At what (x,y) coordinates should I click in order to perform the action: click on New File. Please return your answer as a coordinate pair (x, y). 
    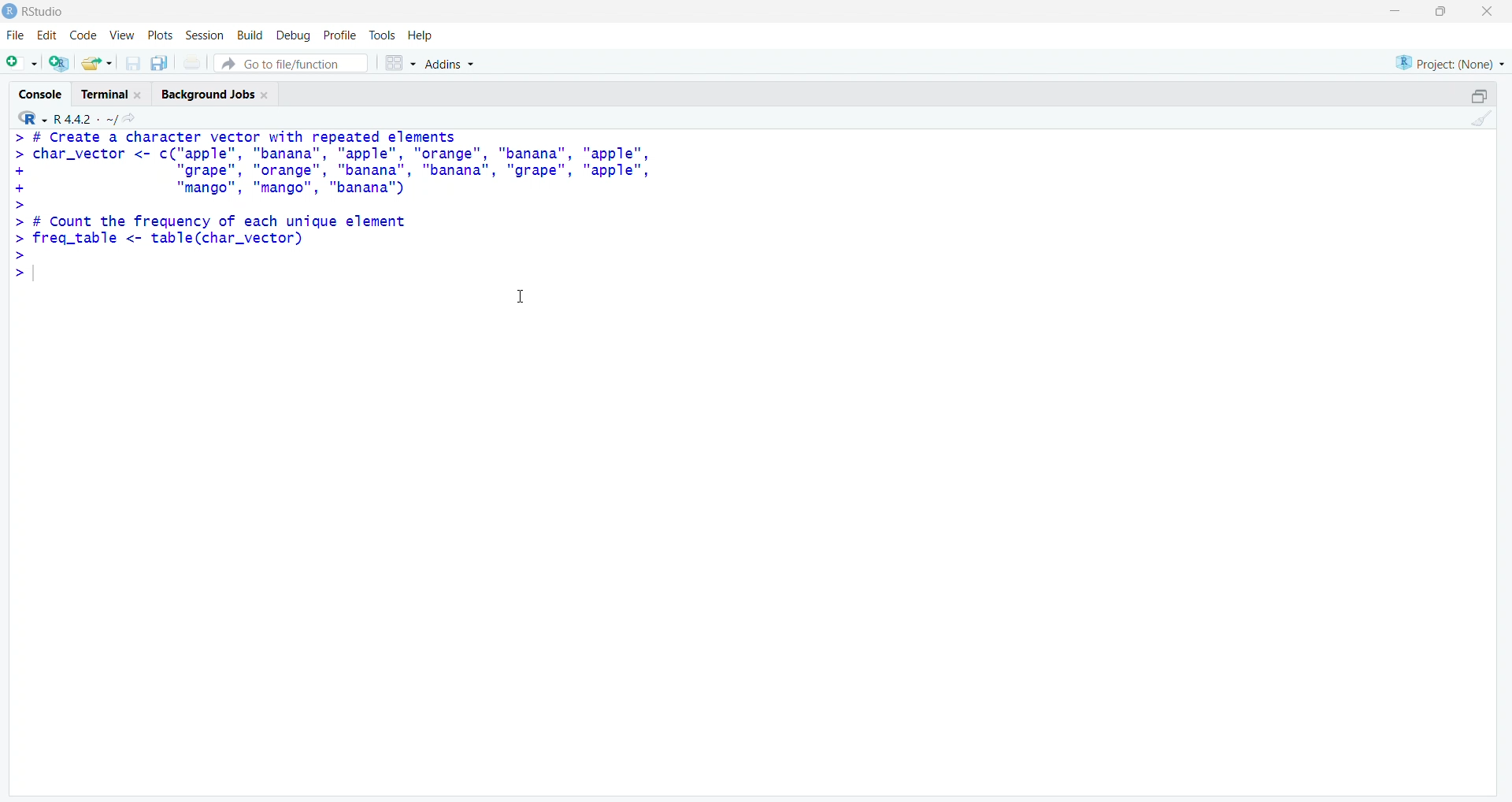
    Looking at the image, I should click on (20, 64).